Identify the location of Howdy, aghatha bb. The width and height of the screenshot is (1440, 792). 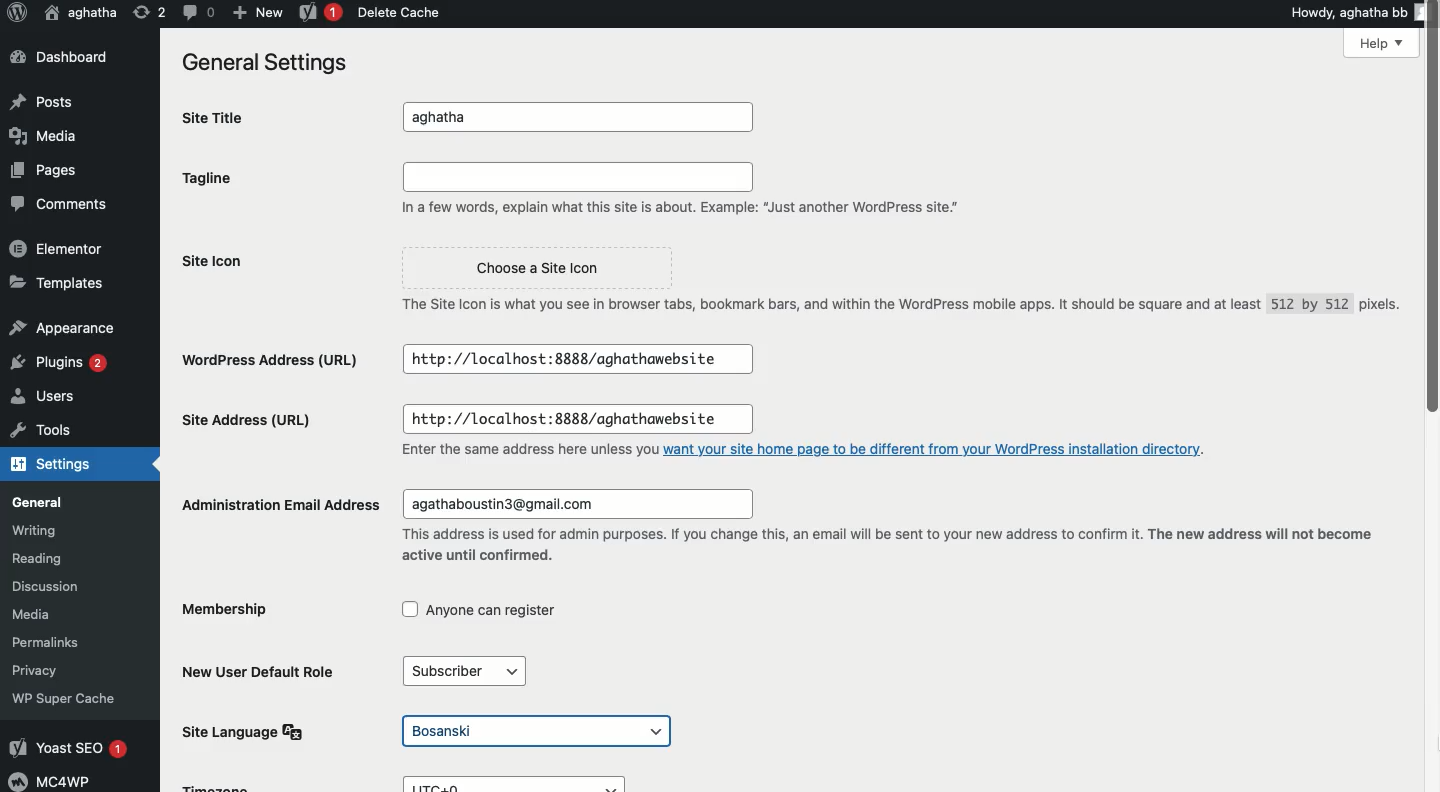
(1360, 11).